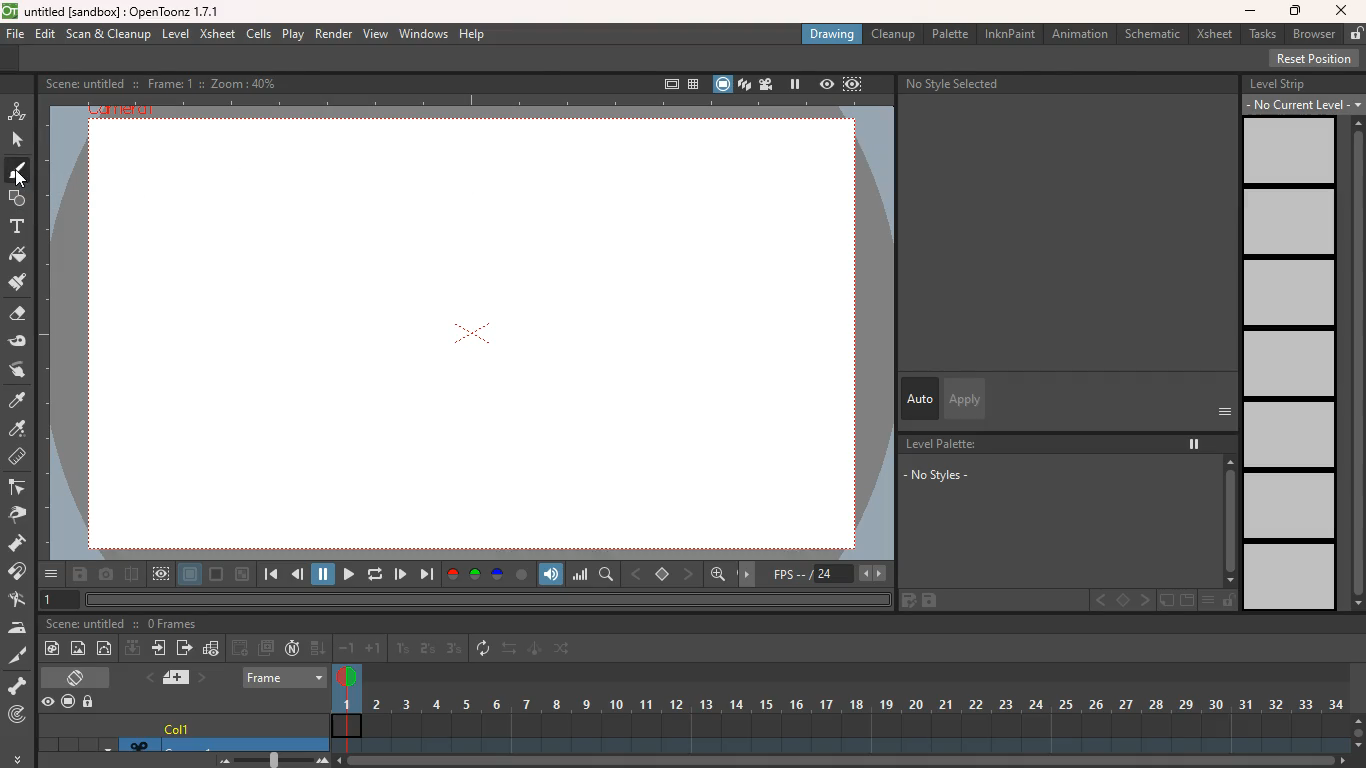 This screenshot has height=768, width=1366. I want to click on screen, so click(1187, 601).